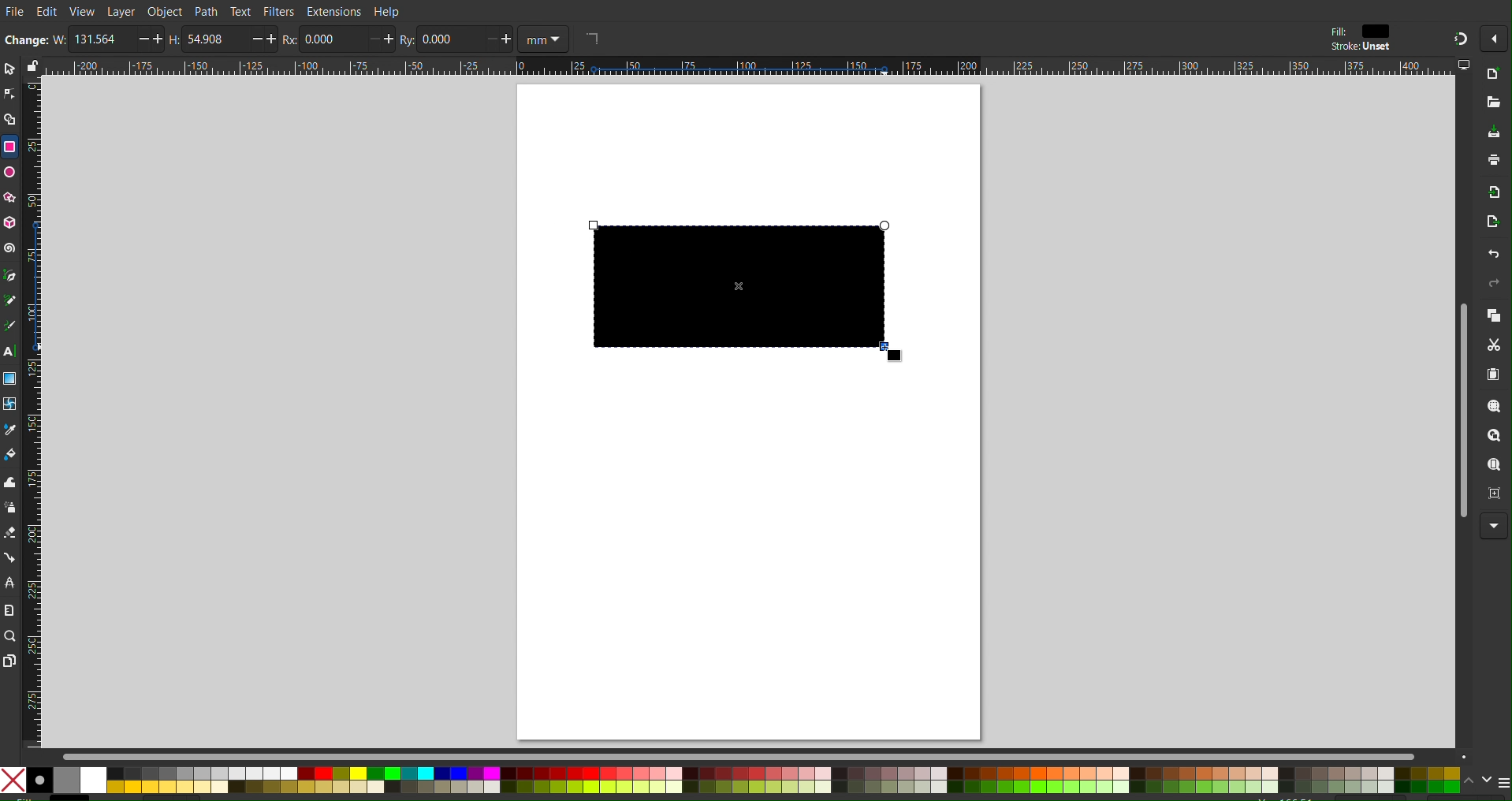  Describe the element at coordinates (9, 68) in the screenshot. I see `Select` at that location.